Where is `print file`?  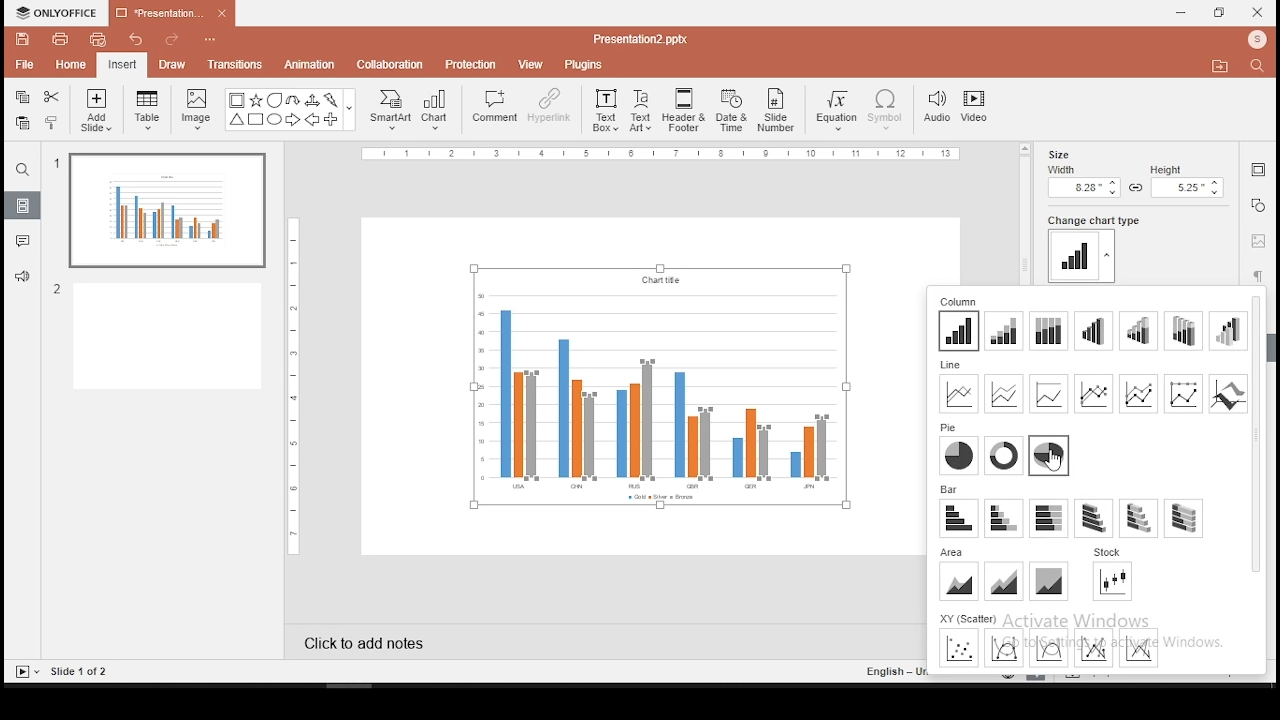
print file is located at coordinates (60, 40).